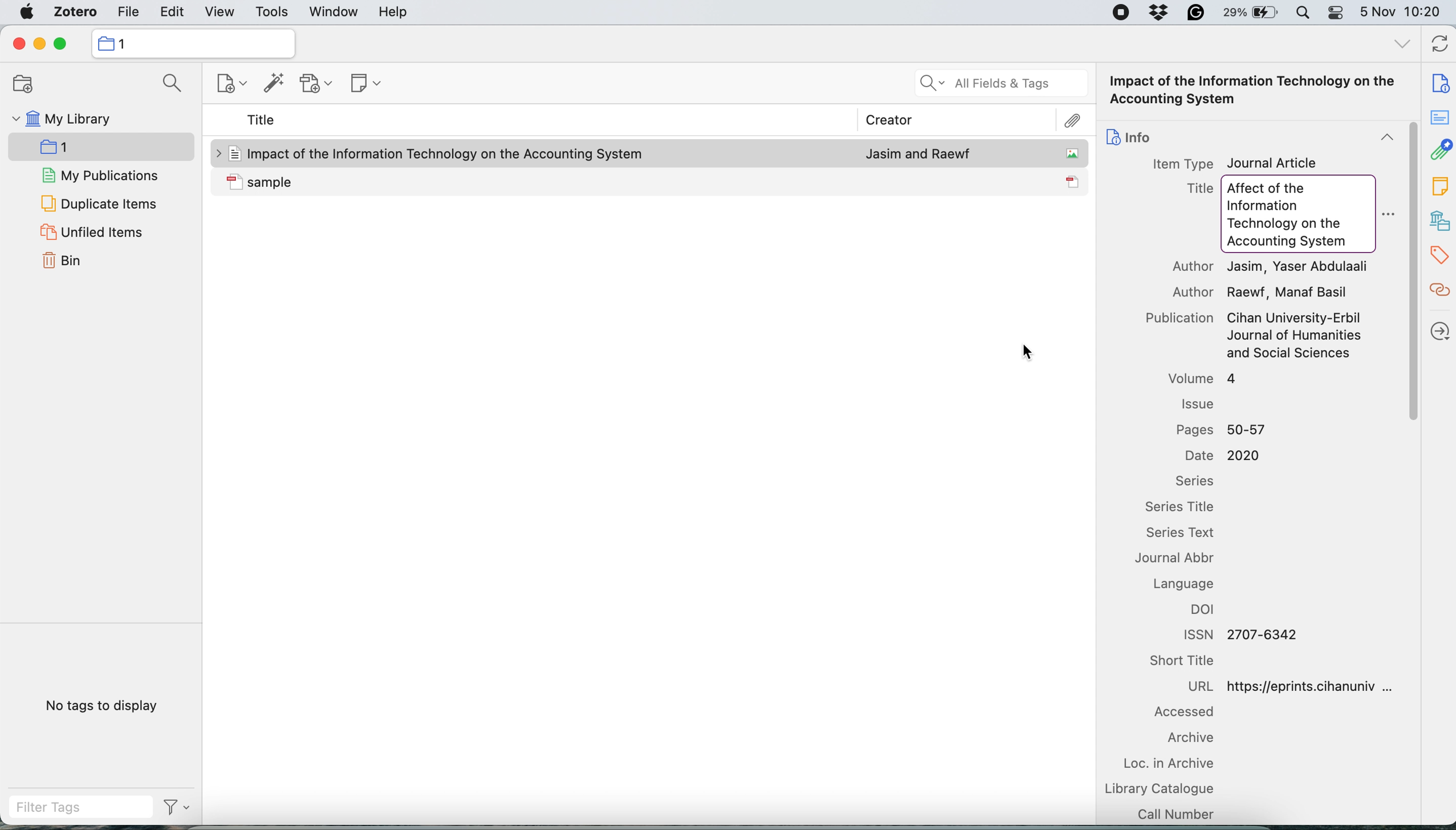 This screenshot has height=830, width=1456. What do you see at coordinates (1173, 788) in the screenshot?
I see `library catalogue` at bounding box center [1173, 788].